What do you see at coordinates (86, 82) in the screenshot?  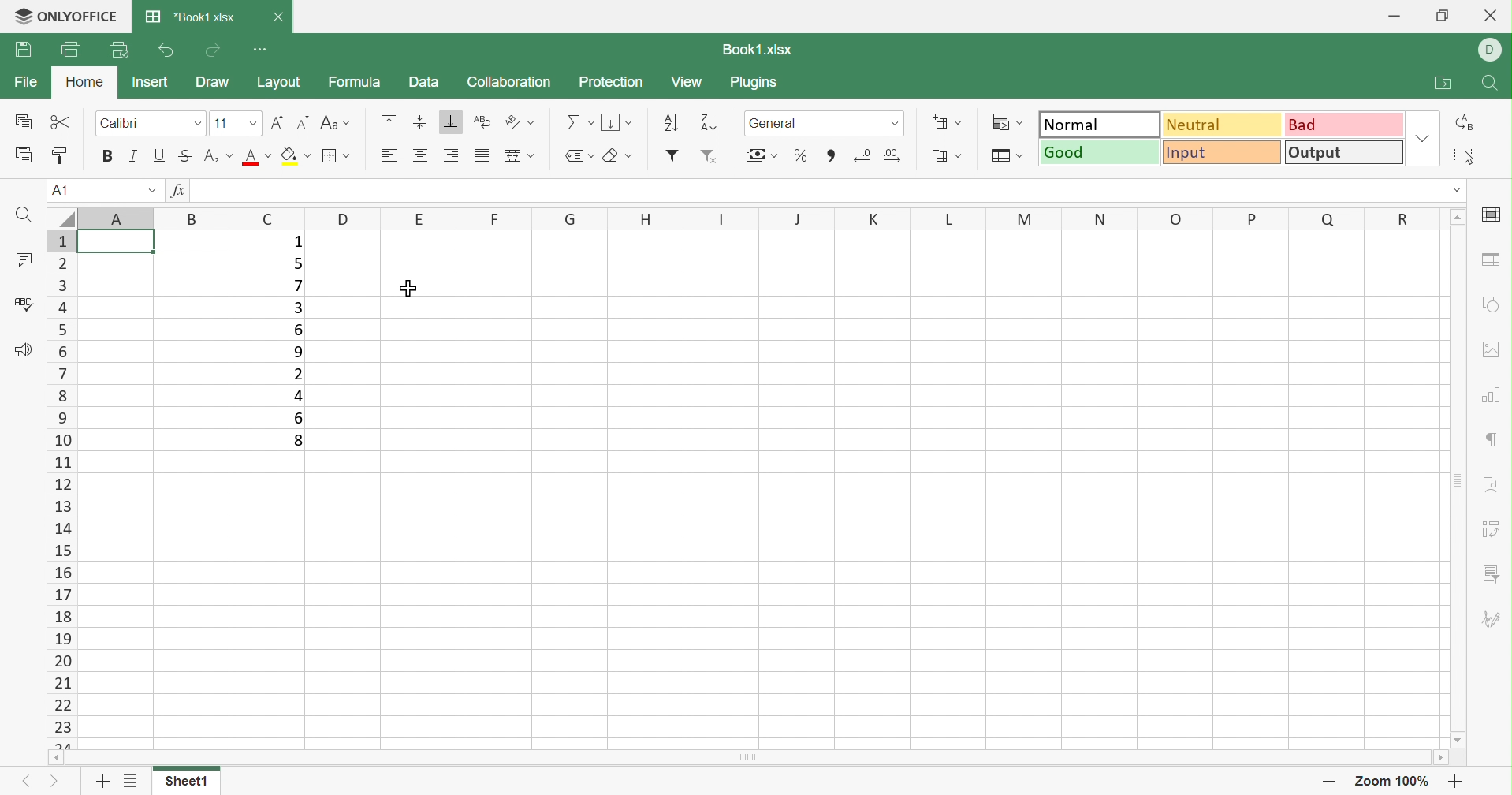 I see `Home` at bounding box center [86, 82].